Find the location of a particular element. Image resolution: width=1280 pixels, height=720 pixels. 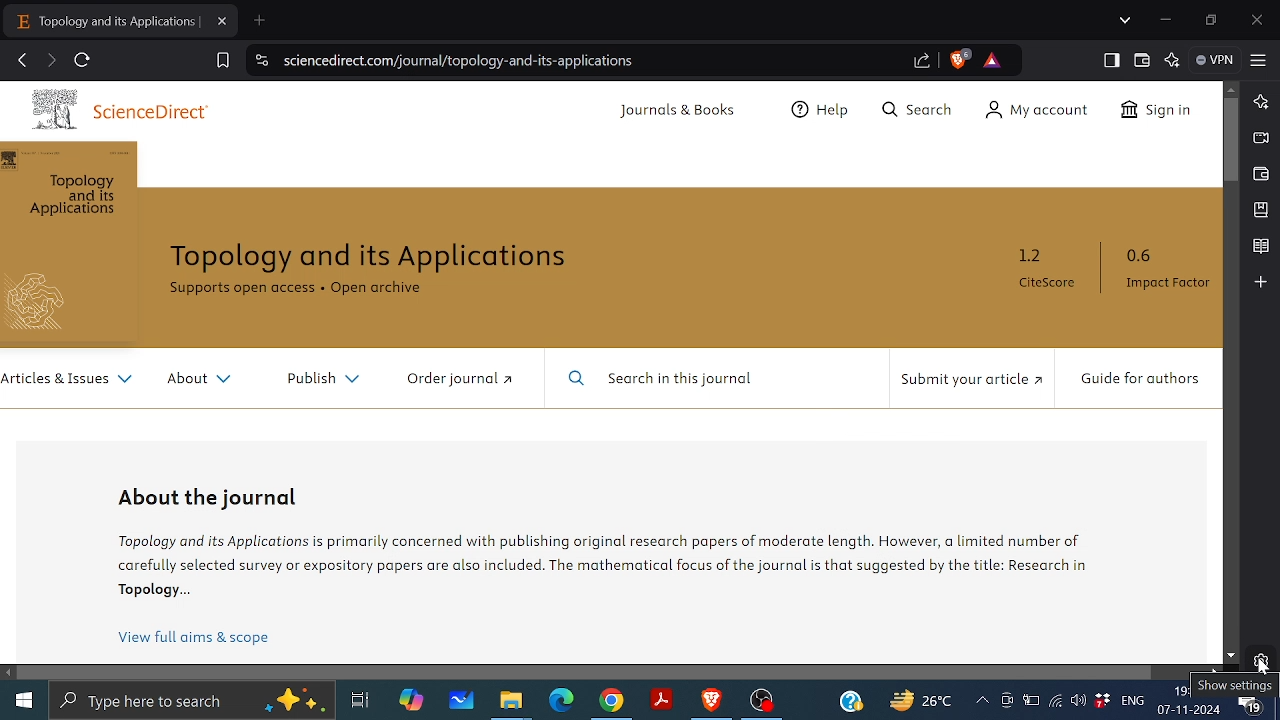

Reading list is located at coordinates (1257, 244).